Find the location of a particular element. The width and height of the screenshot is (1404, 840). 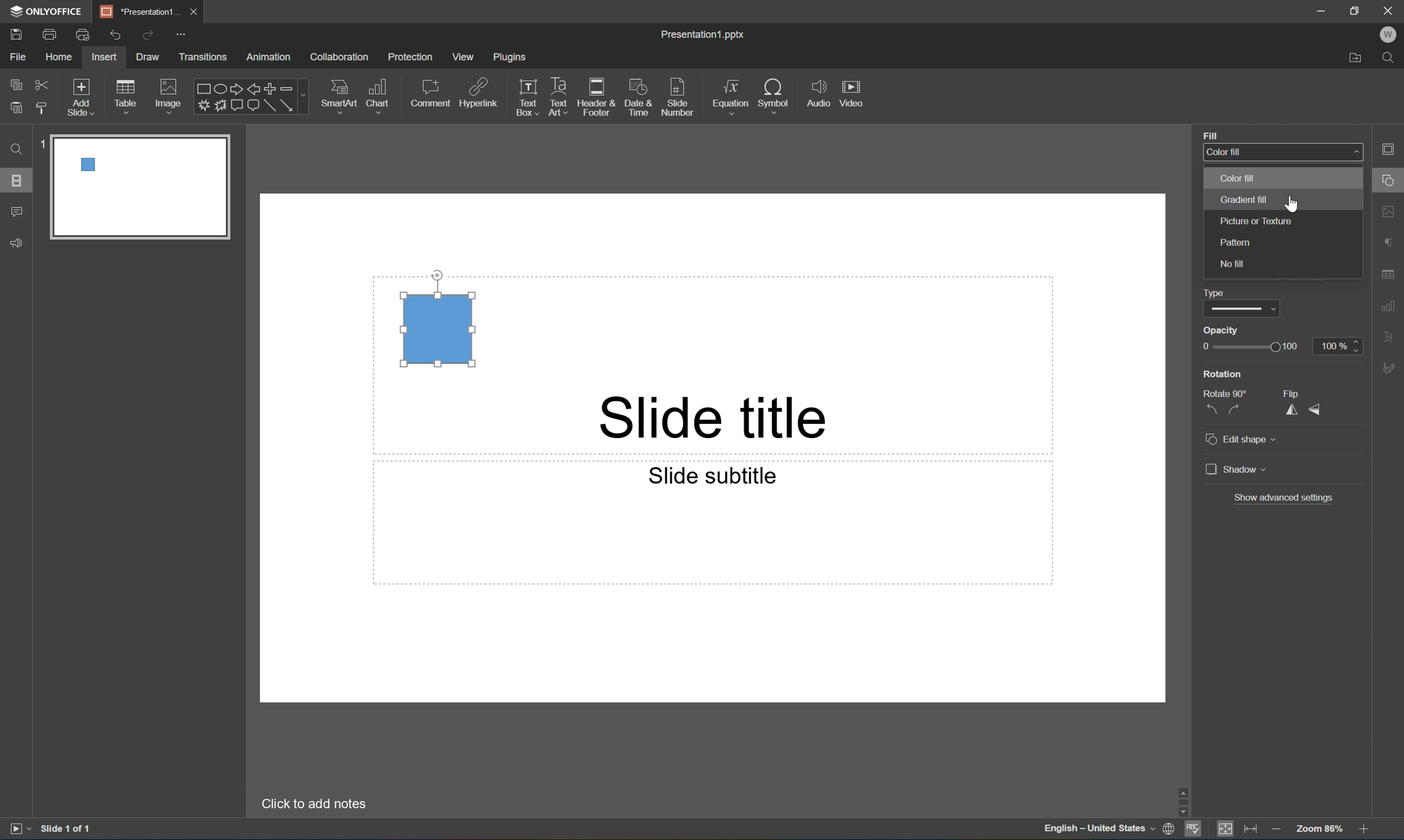

Chart is located at coordinates (376, 95).